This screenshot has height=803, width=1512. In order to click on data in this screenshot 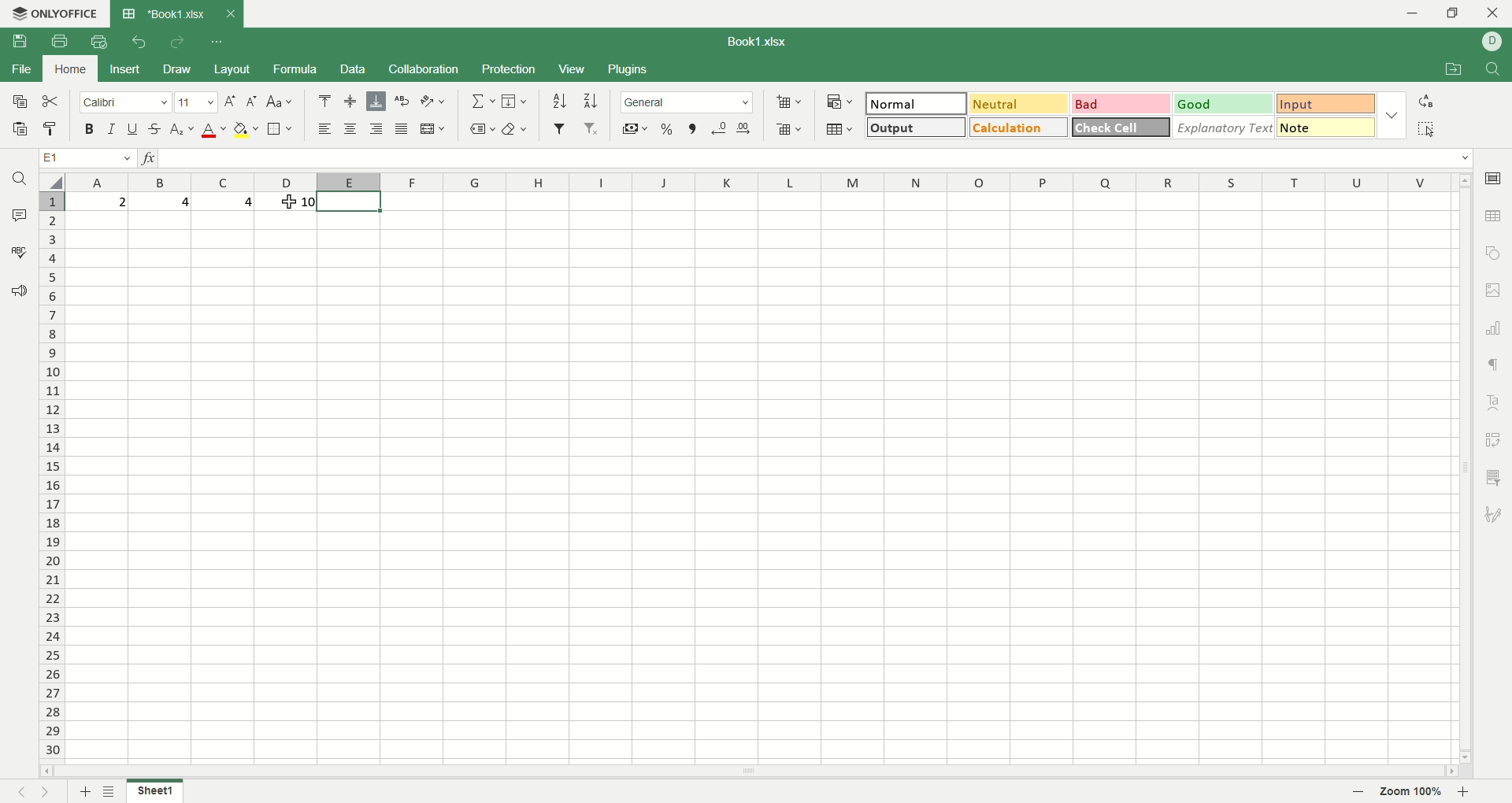, I will do `click(355, 69)`.